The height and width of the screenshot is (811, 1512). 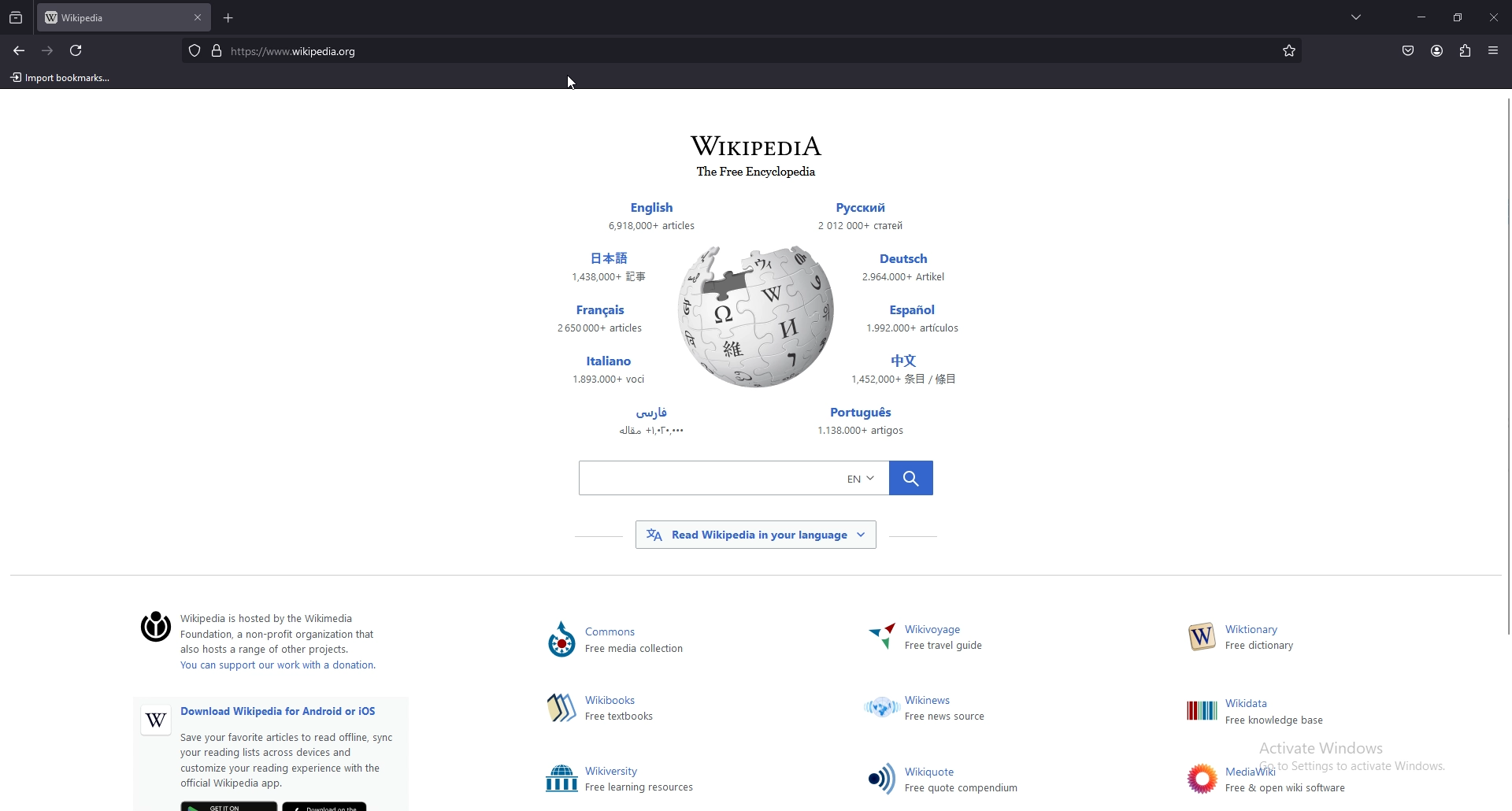 What do you see at coordinates (48, 51) in the screenshot?
I see `forward` at bounding box center [48, 51].